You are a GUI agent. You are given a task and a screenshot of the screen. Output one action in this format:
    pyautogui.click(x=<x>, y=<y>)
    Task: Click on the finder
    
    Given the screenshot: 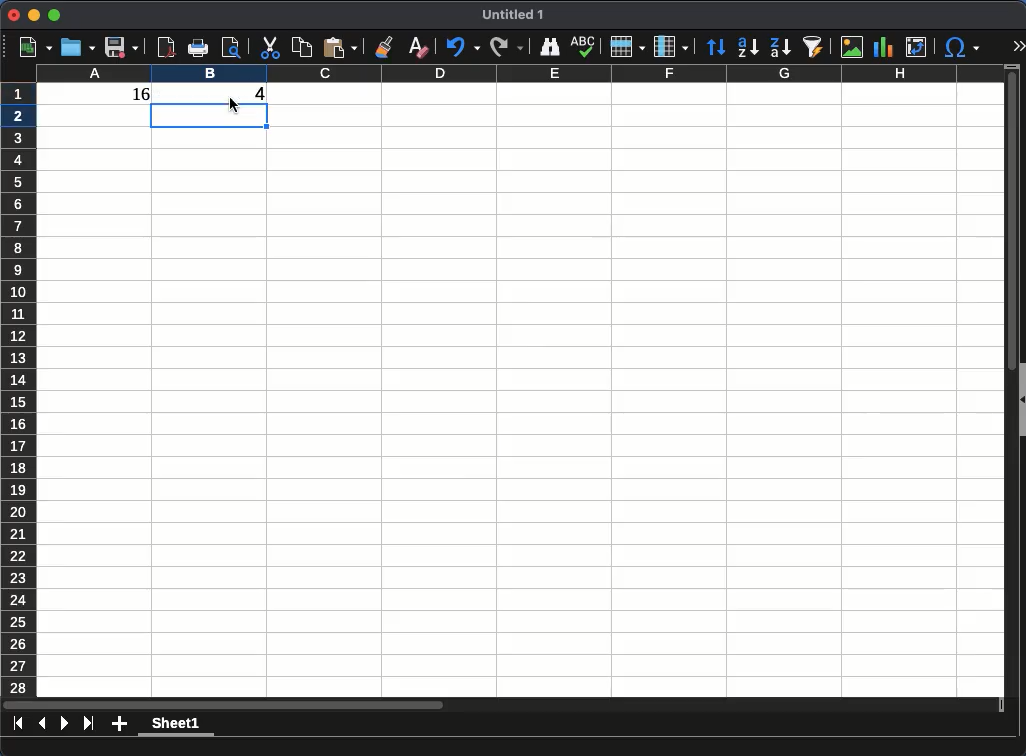 What is the action you would take?
    pyautogui.click(x=548, y=48)
    